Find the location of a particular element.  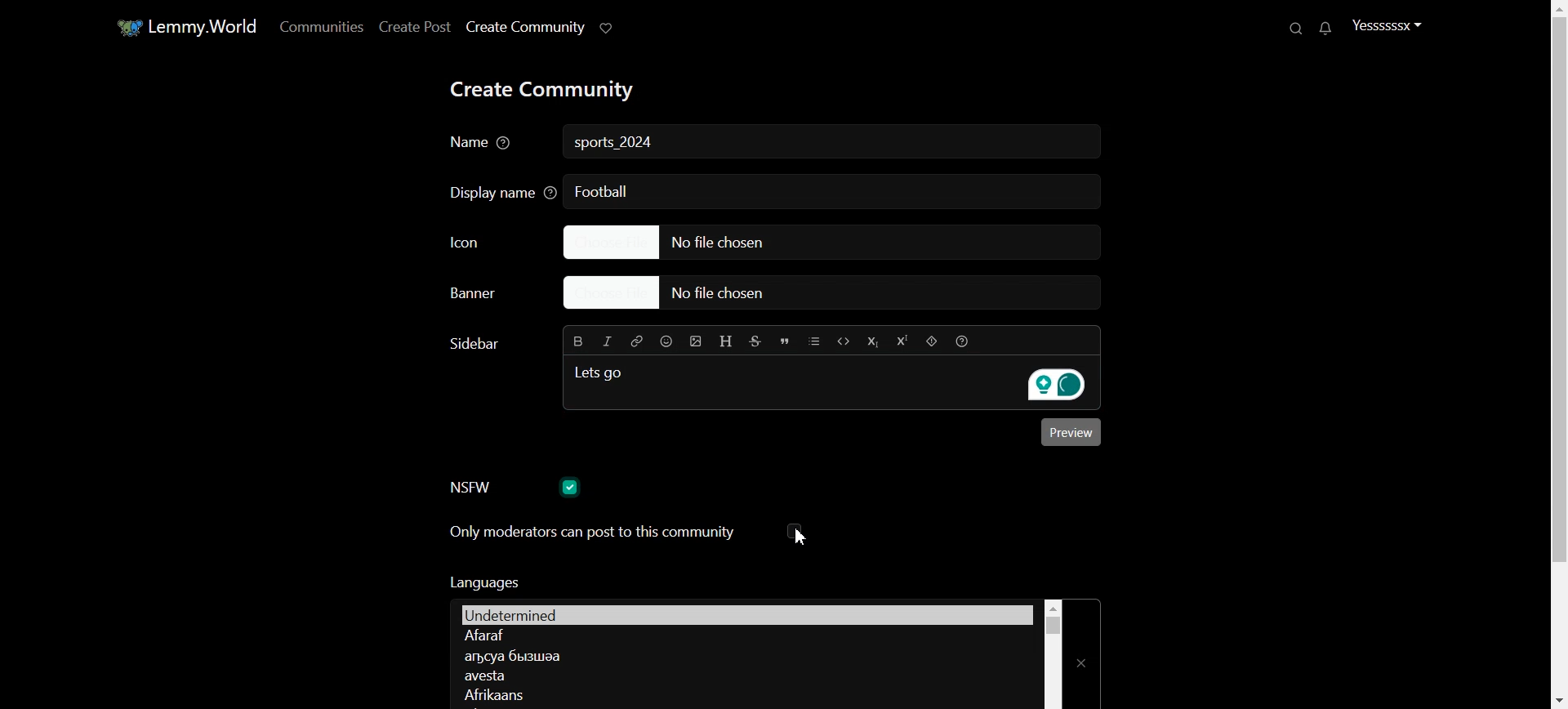

Language is located at coordinates (742, 693).